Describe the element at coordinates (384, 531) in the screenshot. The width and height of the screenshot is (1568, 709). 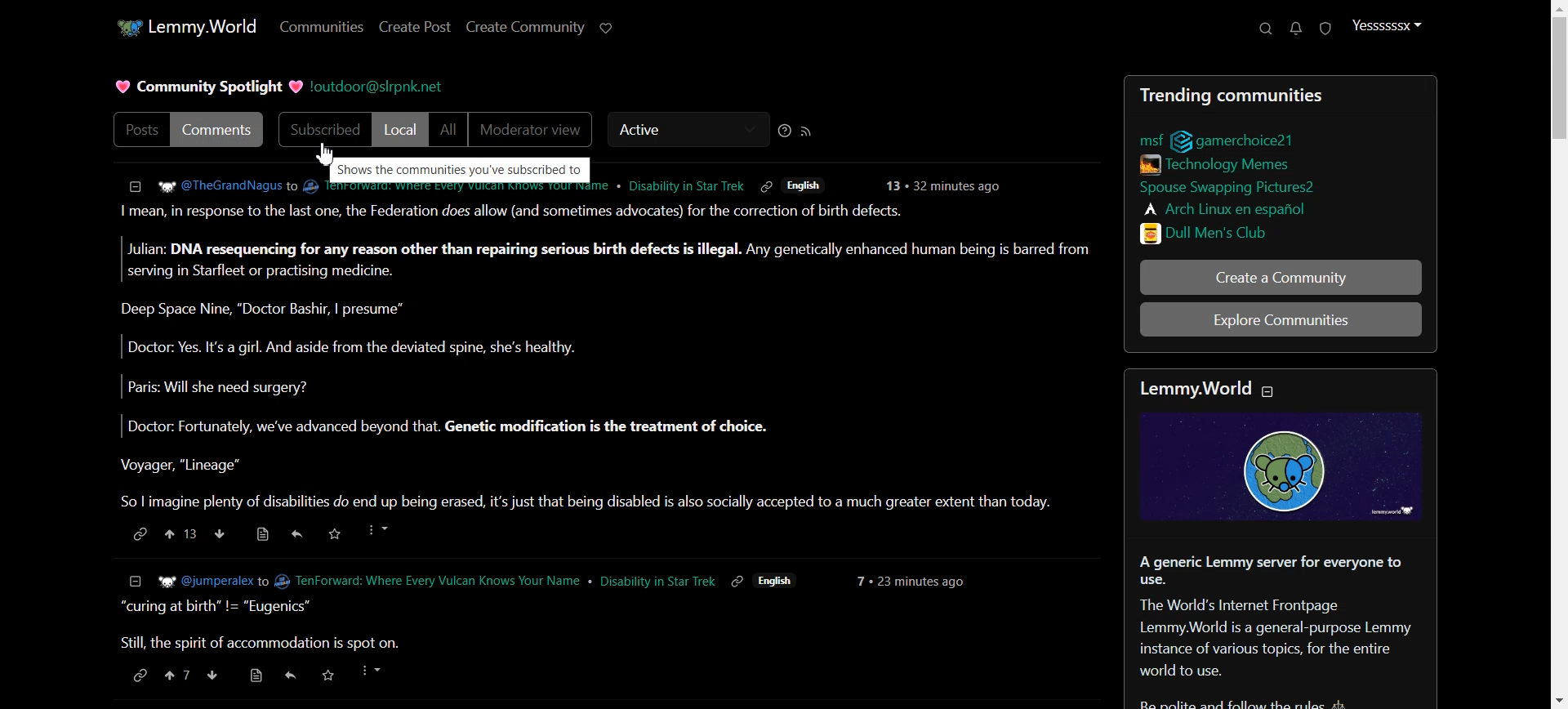
I see `more` at that location.